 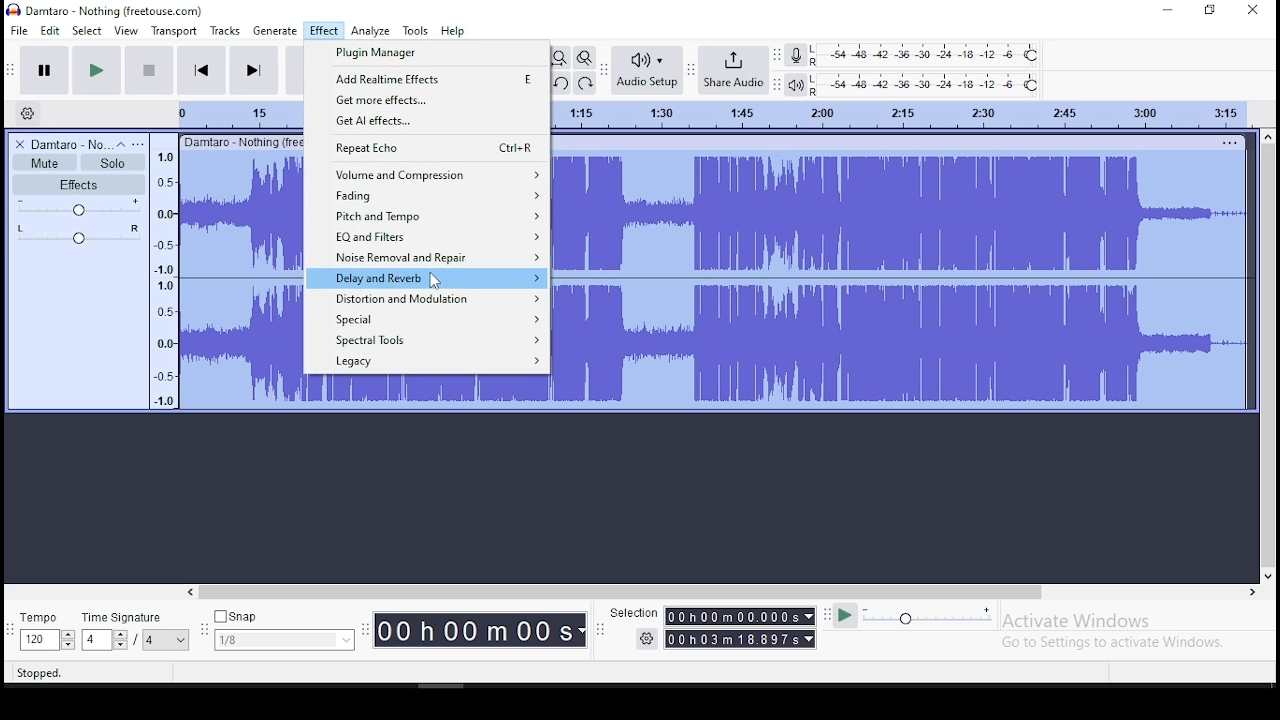 I want to click on playback meter, so click(x=796, y=85).